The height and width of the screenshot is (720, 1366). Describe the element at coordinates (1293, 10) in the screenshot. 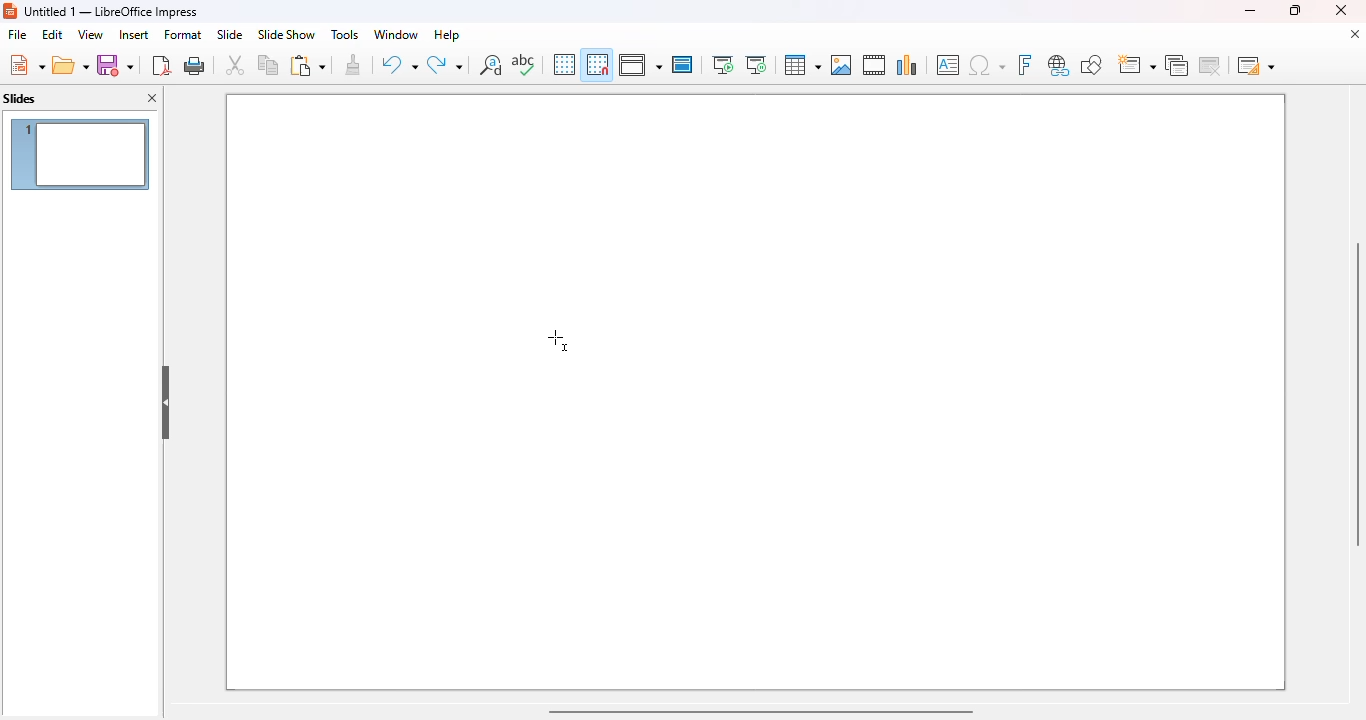

I see `maximize` at that location.